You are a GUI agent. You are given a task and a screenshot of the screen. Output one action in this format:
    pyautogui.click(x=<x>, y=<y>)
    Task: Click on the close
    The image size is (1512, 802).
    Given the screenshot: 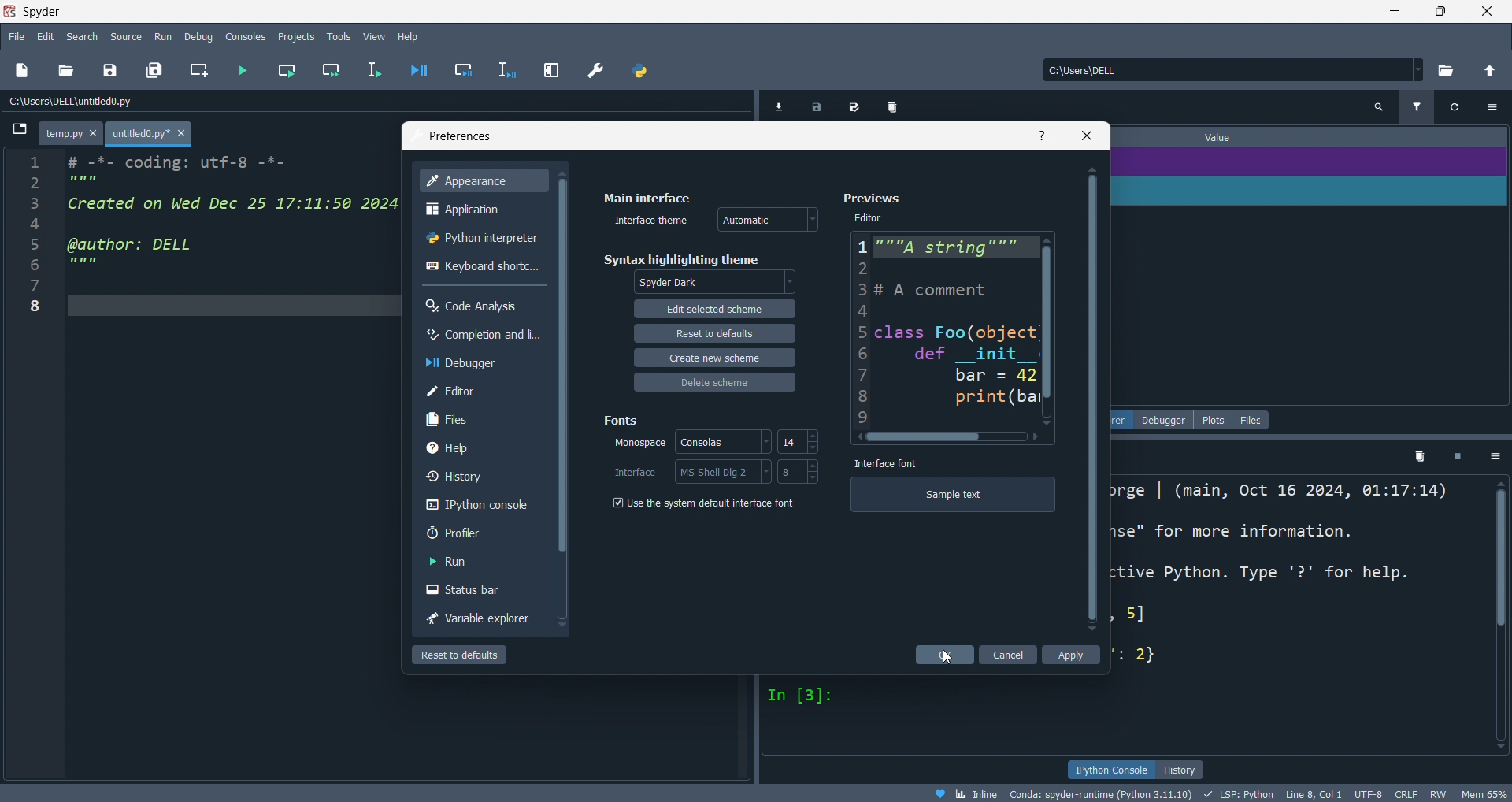 What is the action you would take?
    pyautogui.click(x=1488, y=13)
    